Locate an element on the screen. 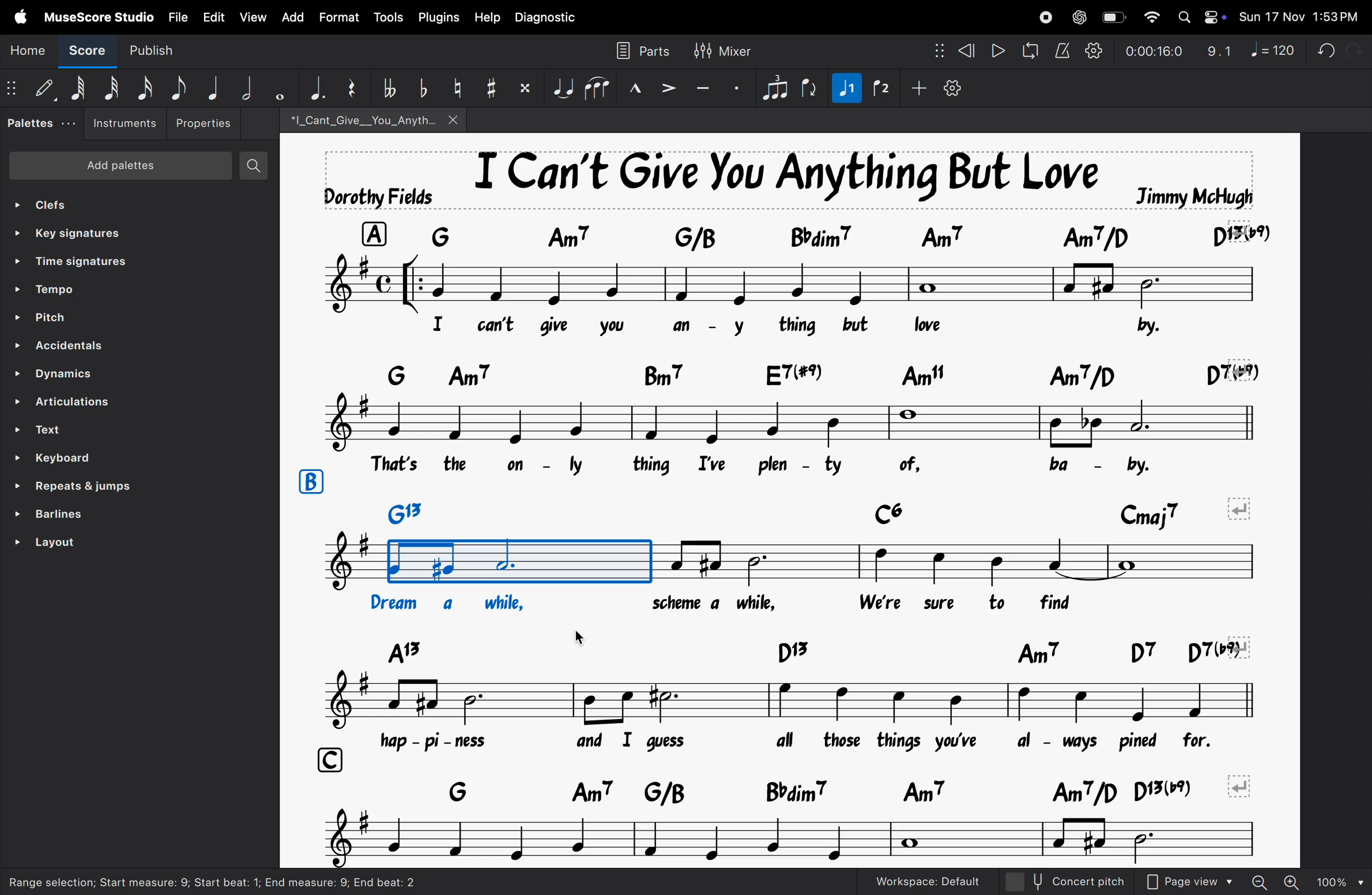  song title is located at coordinates (789, 180).